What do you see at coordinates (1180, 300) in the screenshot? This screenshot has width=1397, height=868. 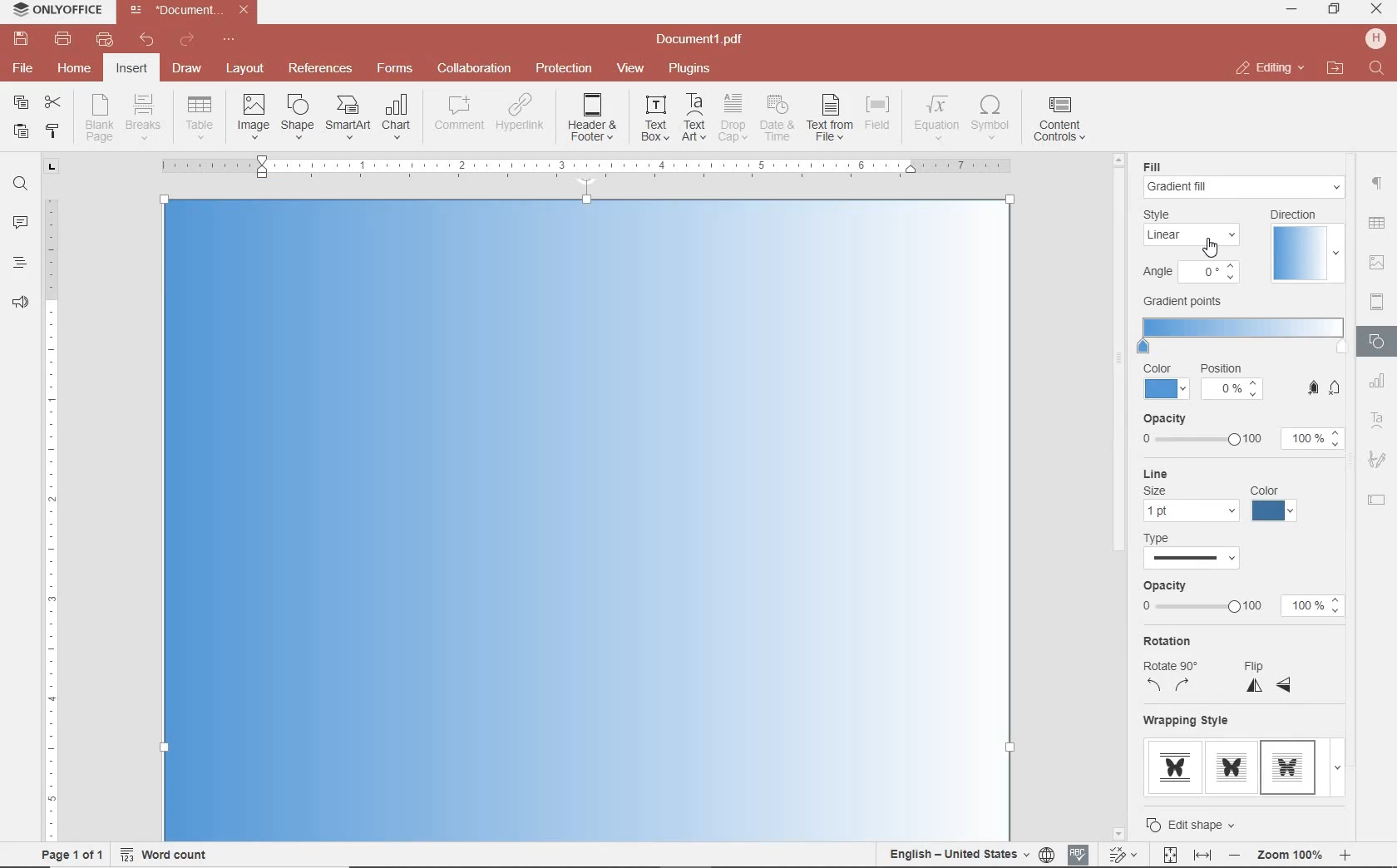 I see `PATTERN` at bounding box center [1180, 300].